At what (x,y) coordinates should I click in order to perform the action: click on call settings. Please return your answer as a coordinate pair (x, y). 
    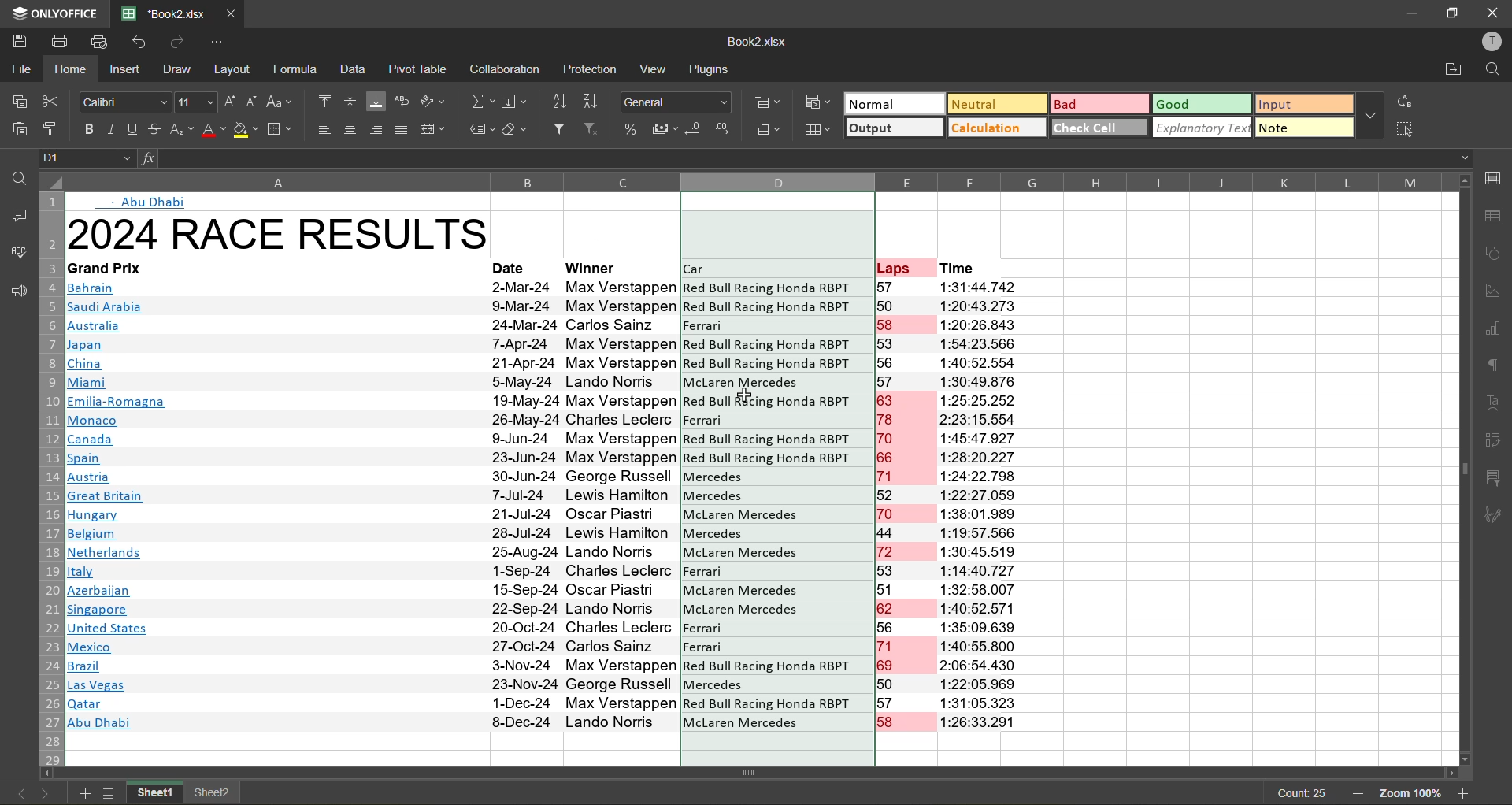
    Looking at the image, I should click on (1497, 175).